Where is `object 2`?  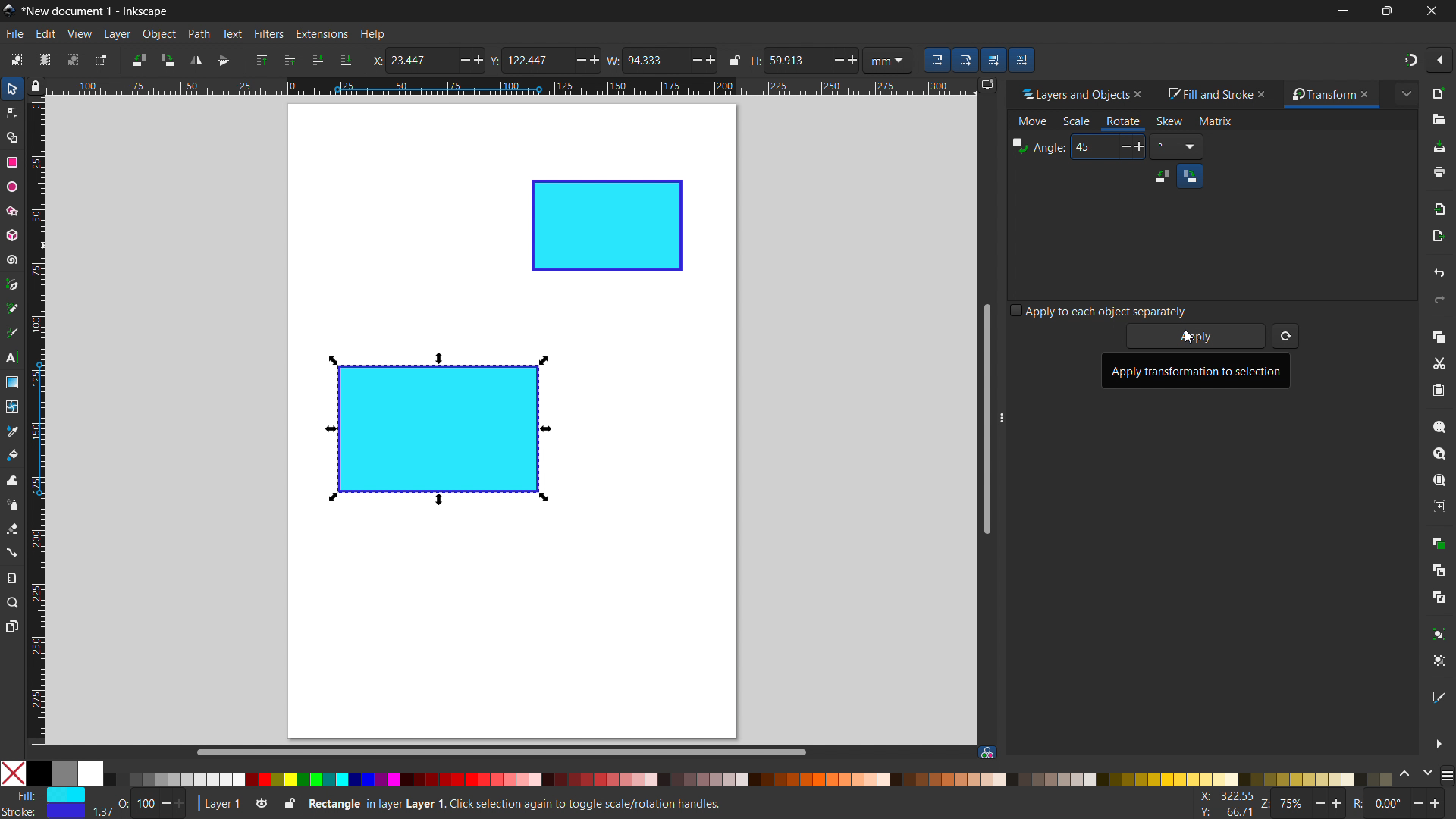
object 2 is located at coordinates (607, 226).